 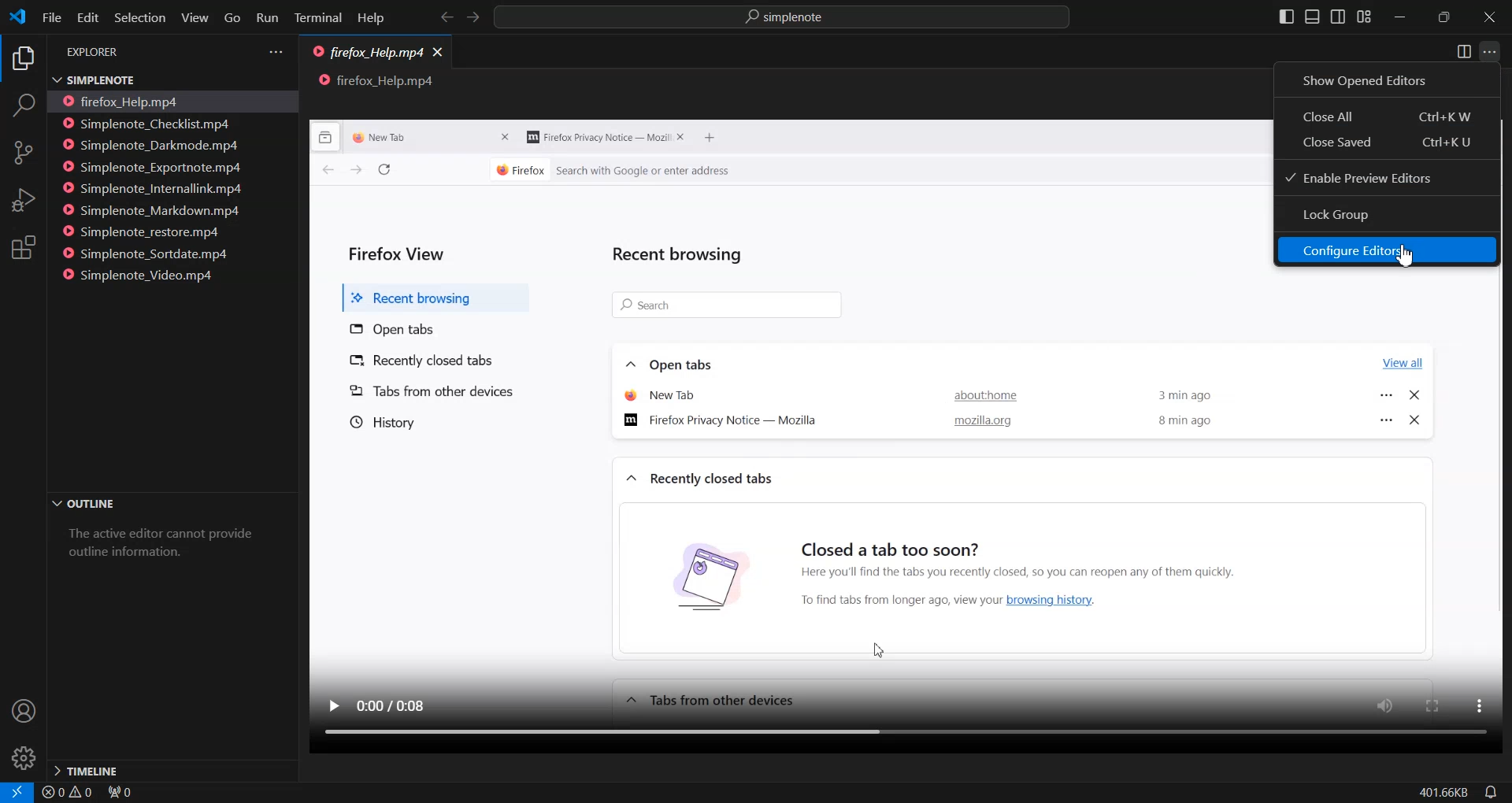 I want to click on Simplenote  Files, so click(x=157, y=79).